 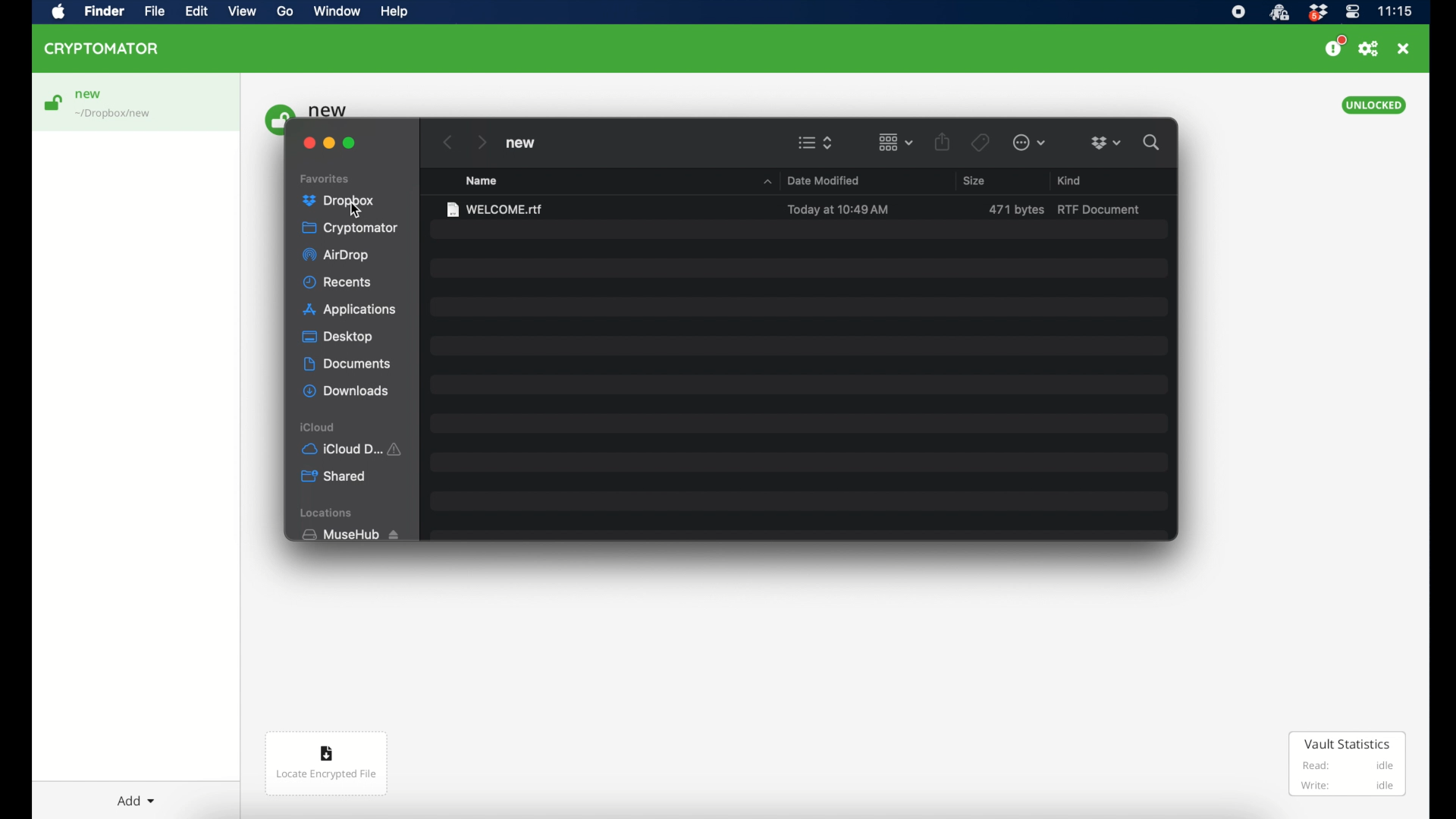 What do you see at coordinates (354, 449) in the screenshot?
I see `iCloud` at bounding box center [354, 449].